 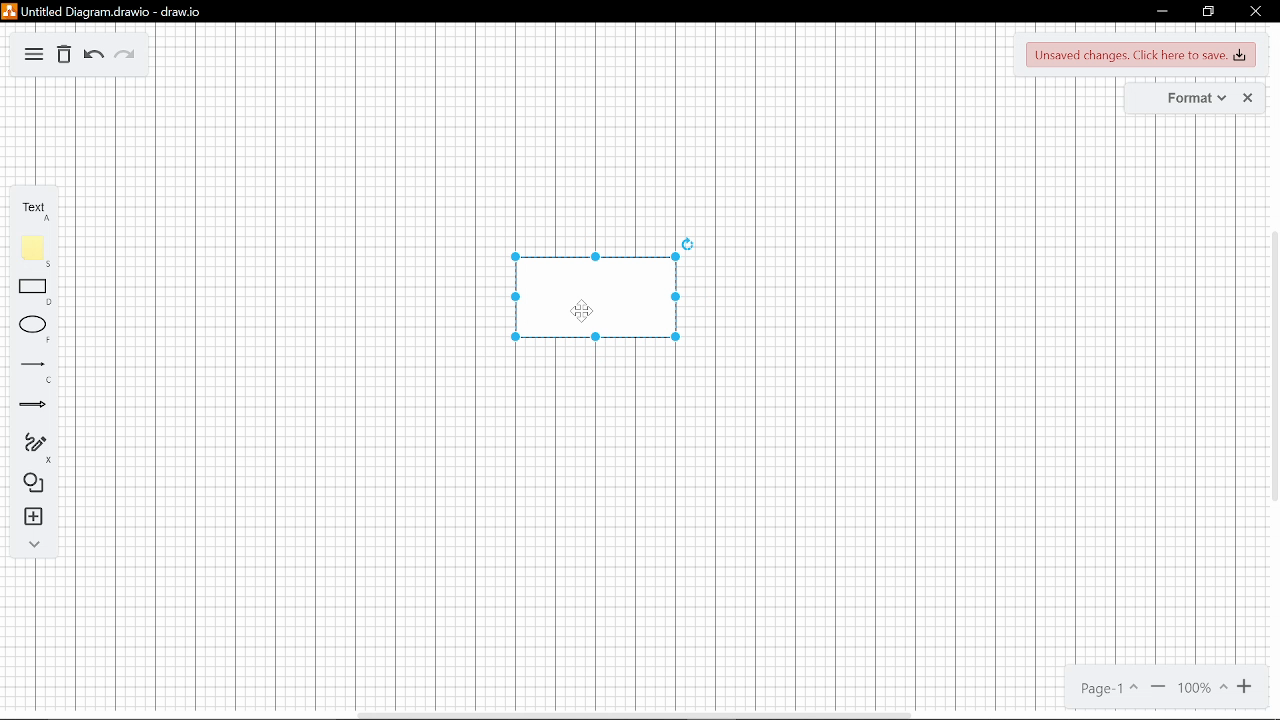 I want to click on more, so click(x=33, y=543).